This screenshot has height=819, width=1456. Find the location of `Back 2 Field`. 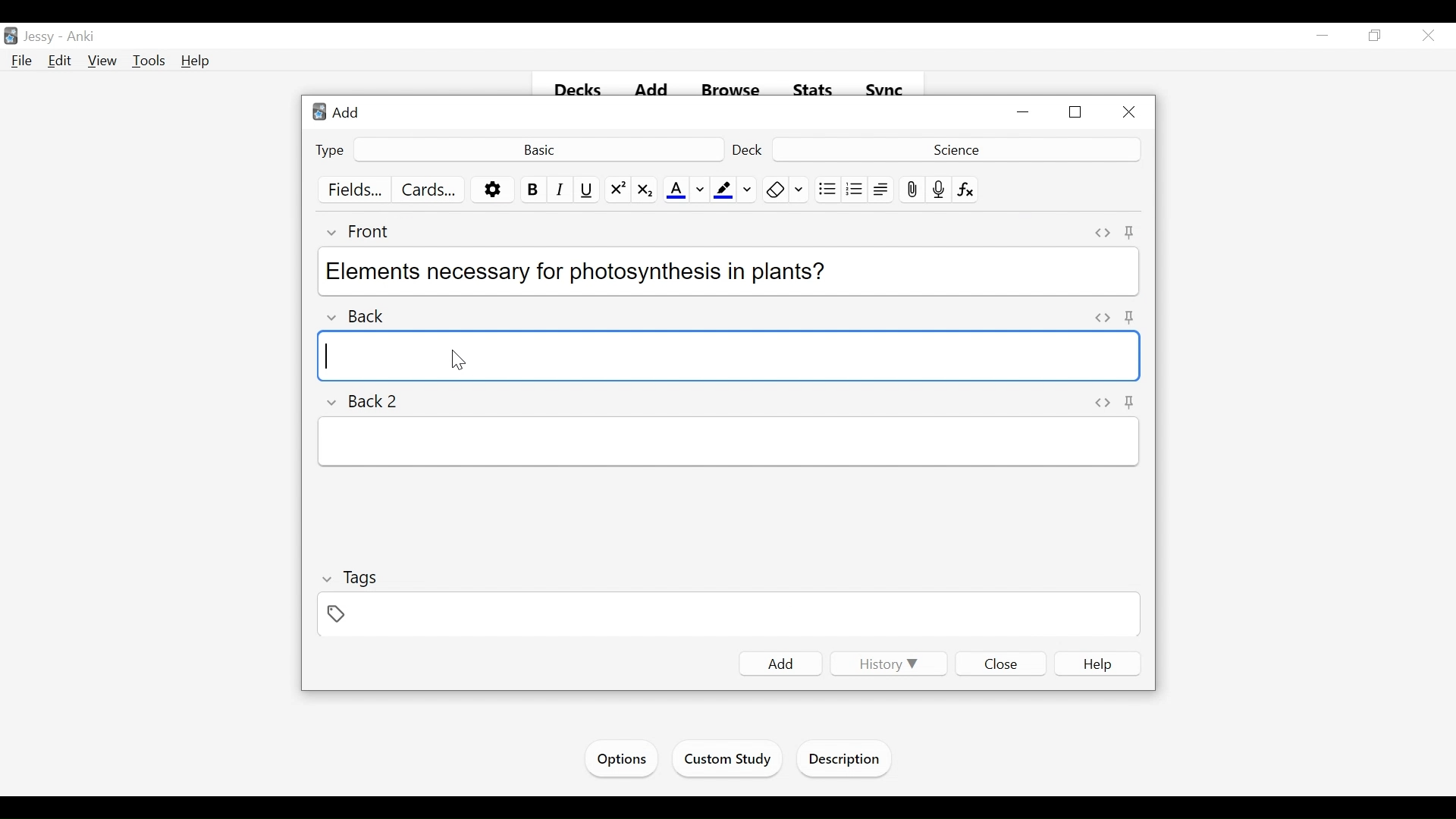

Back 2 Field is located at coordinates (729, 443).